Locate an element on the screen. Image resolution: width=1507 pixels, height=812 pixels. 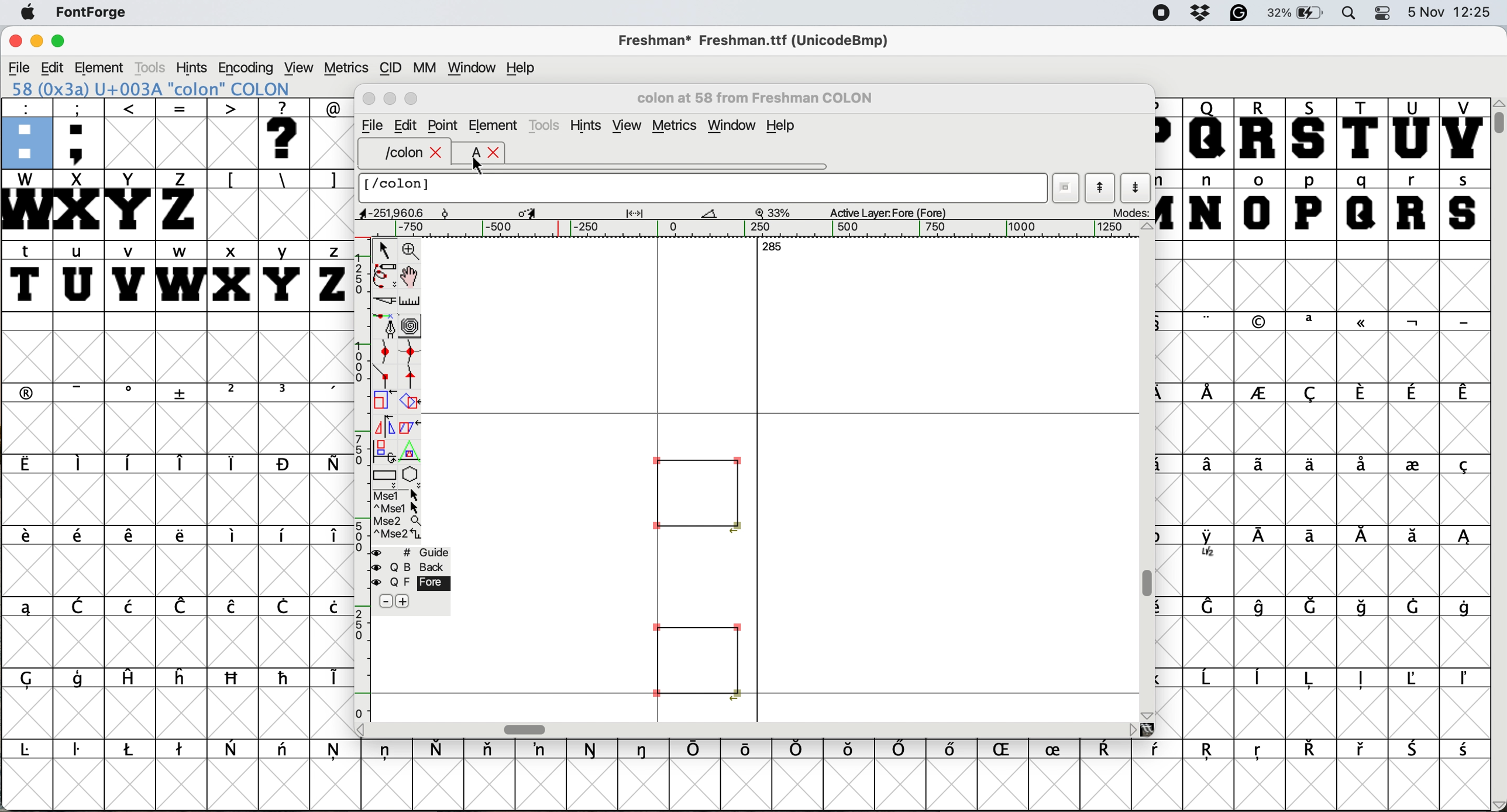
symbol is located at coordinates (1465, 607).